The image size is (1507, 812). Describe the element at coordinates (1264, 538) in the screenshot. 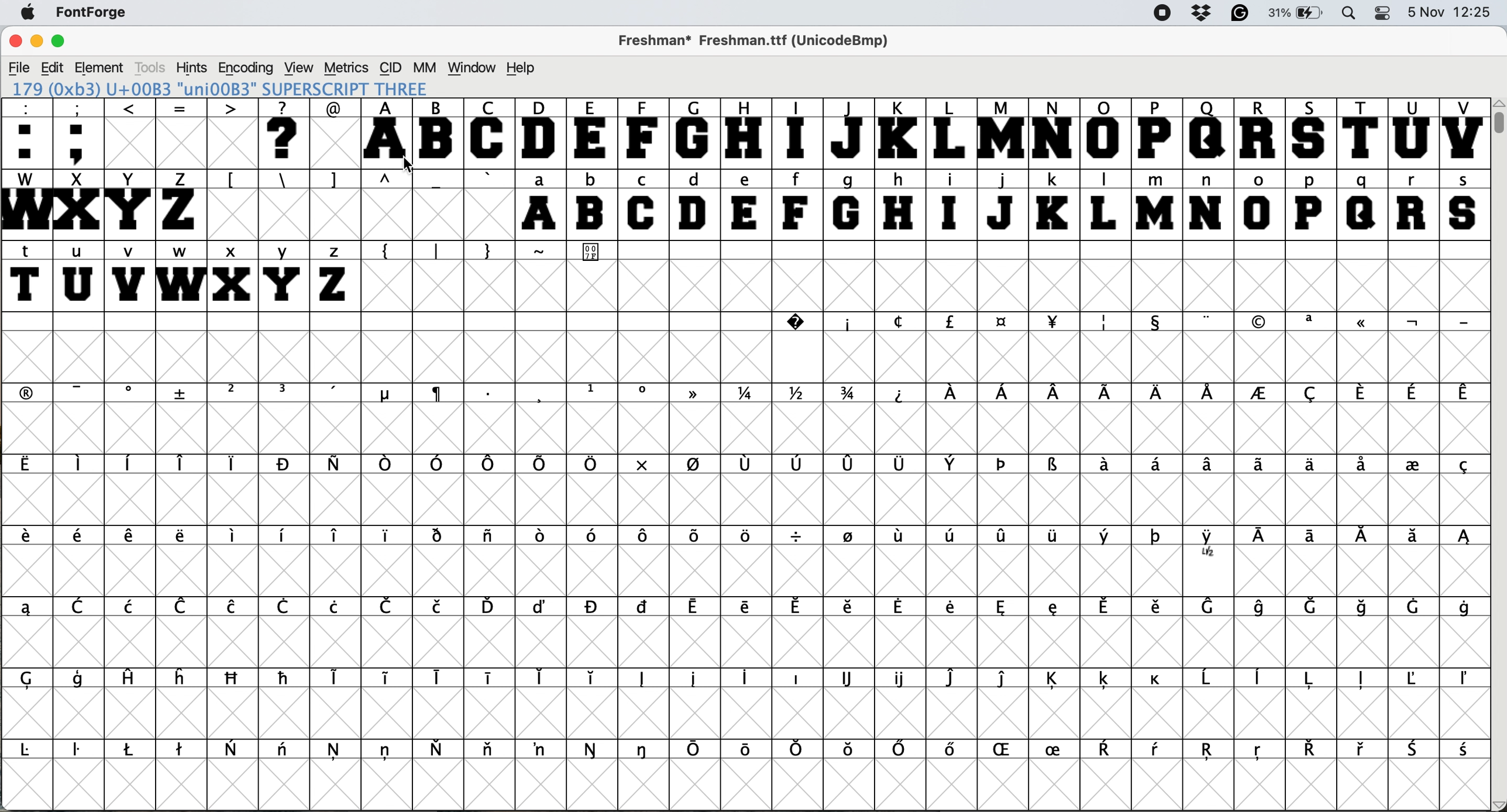

I see `symbol` at that location.